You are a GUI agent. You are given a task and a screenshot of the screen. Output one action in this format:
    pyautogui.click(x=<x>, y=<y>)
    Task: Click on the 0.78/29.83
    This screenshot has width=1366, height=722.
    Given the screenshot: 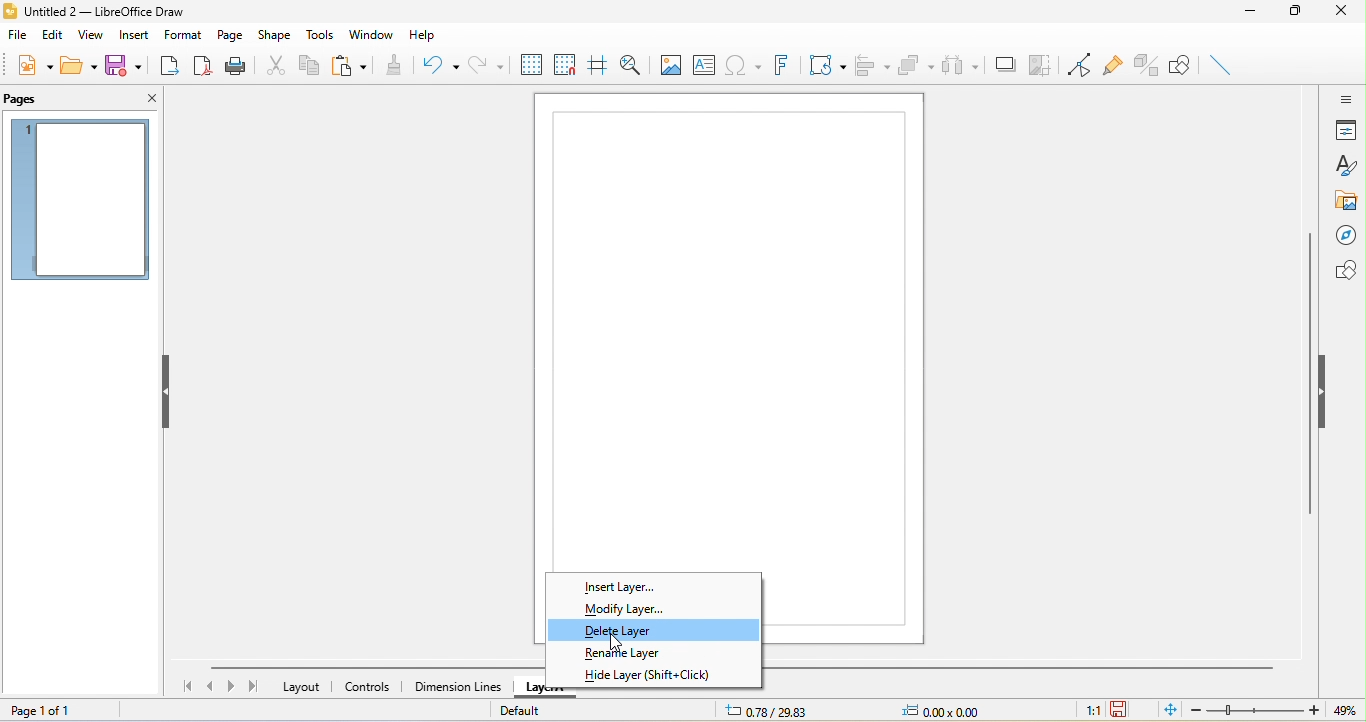 What is the action you would take?
    pyautogui.click(x=763, y=711)
    